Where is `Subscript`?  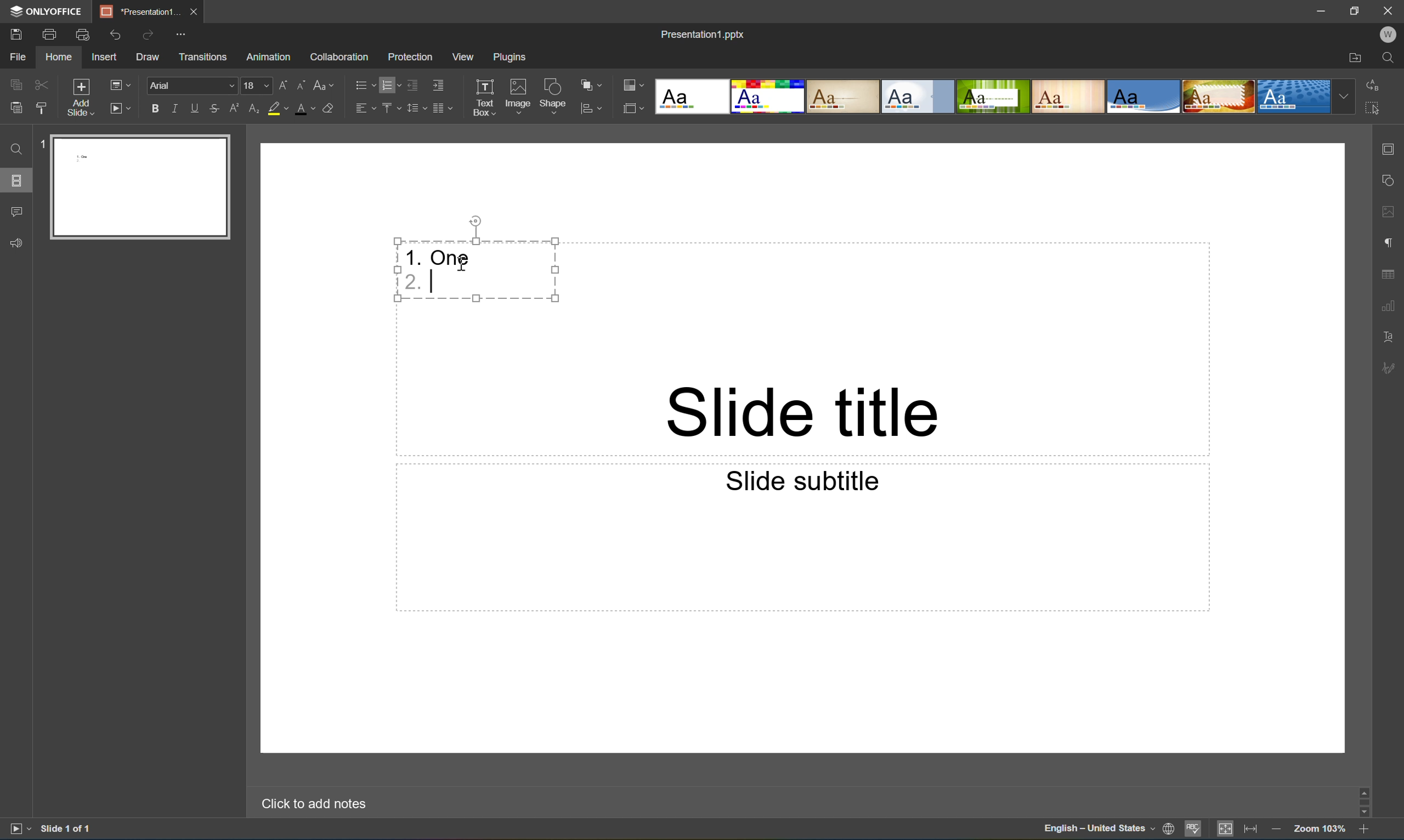
Subscript is located at coordinates (253, 109).